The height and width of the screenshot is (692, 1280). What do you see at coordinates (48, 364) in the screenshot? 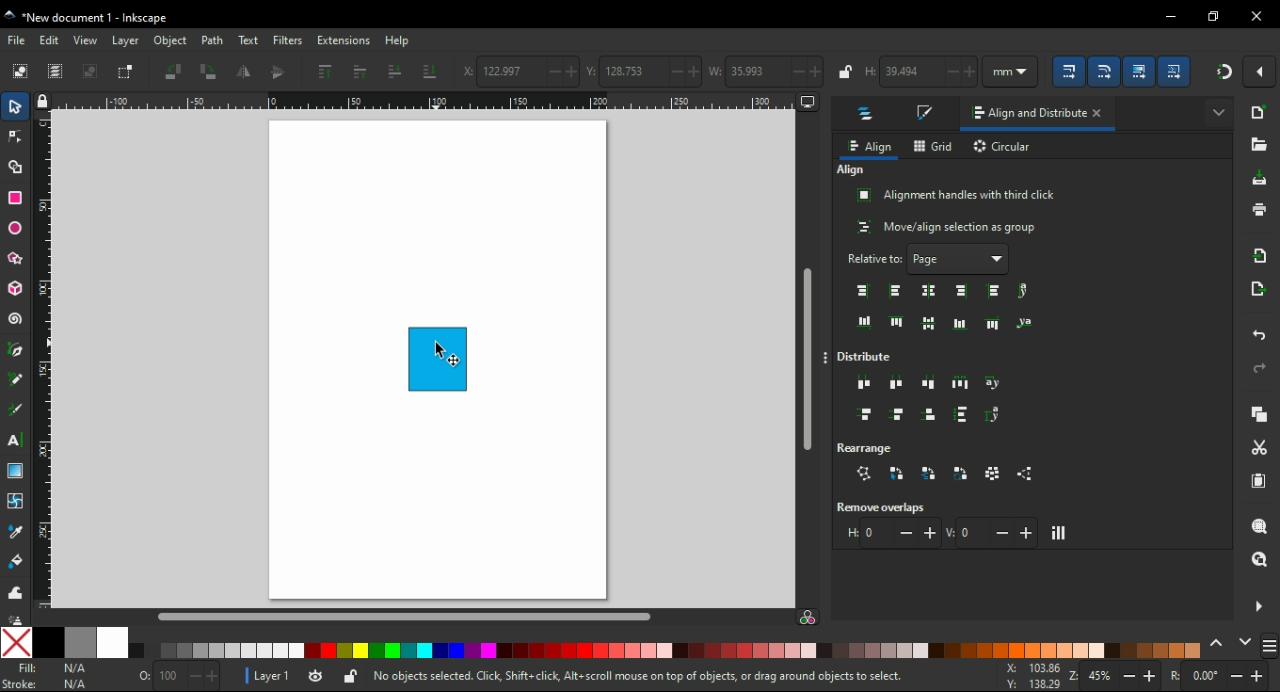
I see `vertical ruler` at bounding box center [48, 364].